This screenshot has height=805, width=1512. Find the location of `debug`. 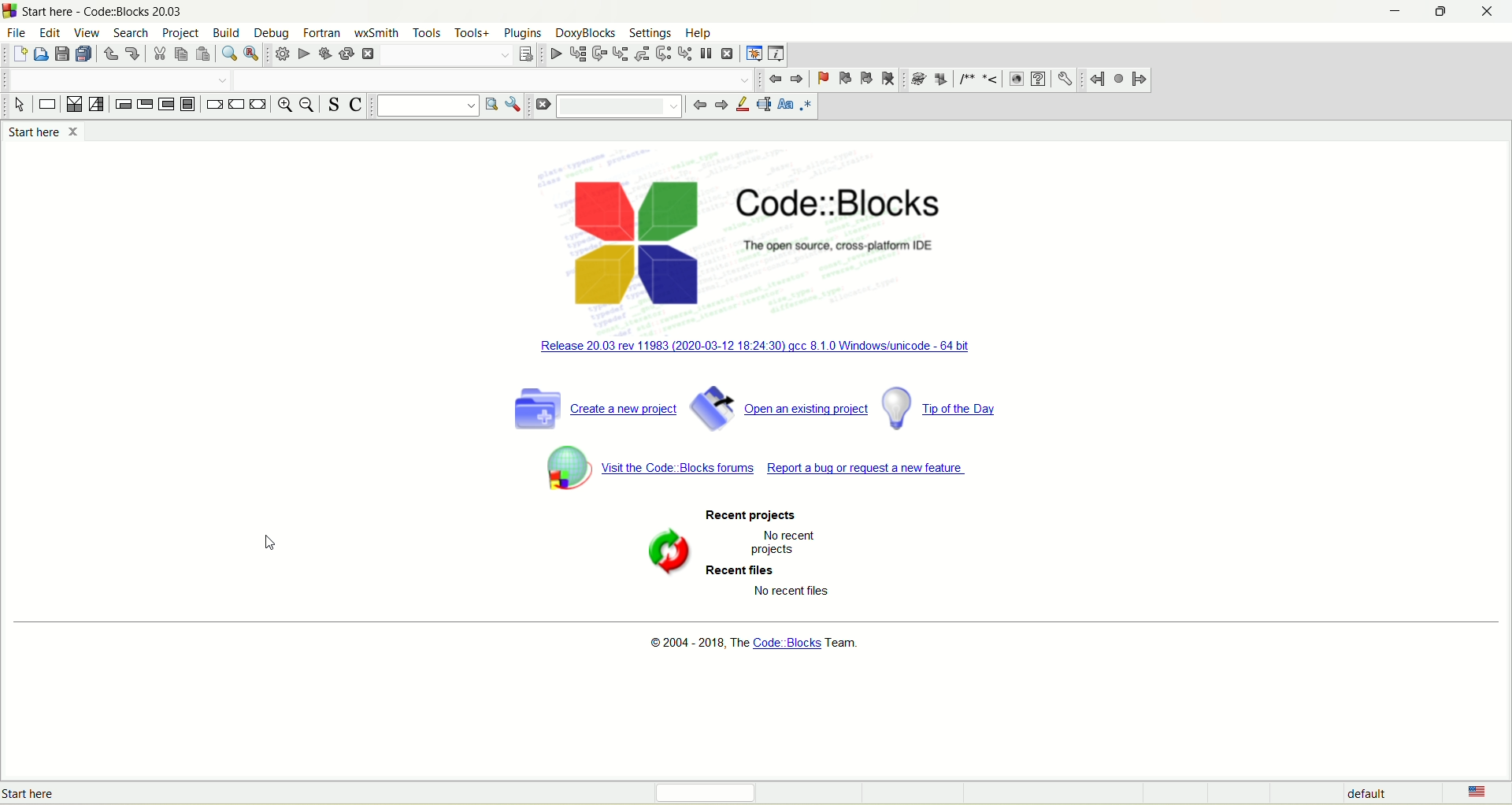

debug is located at coordinates (554, 54).